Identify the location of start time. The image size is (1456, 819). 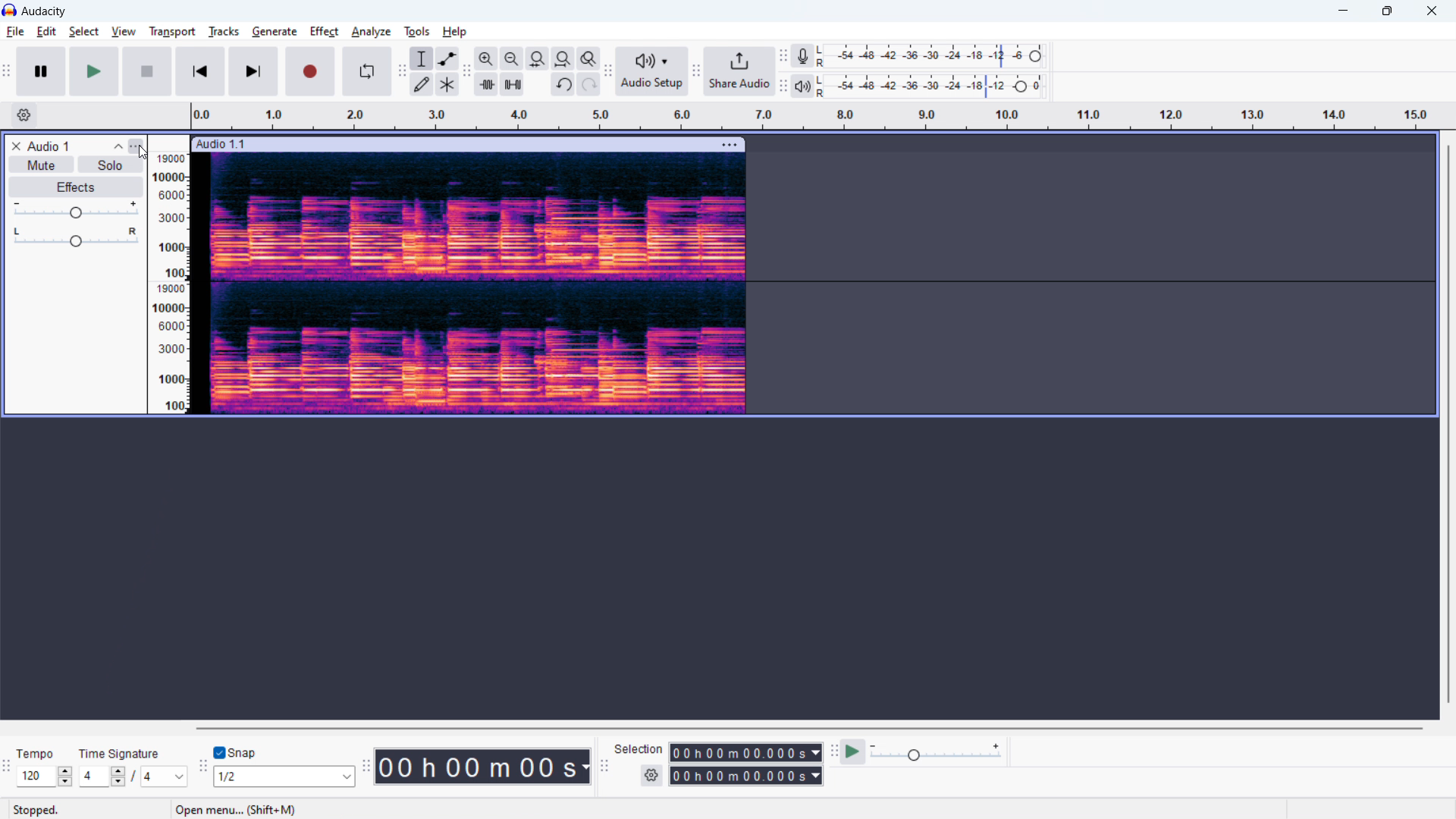
(746, 752).